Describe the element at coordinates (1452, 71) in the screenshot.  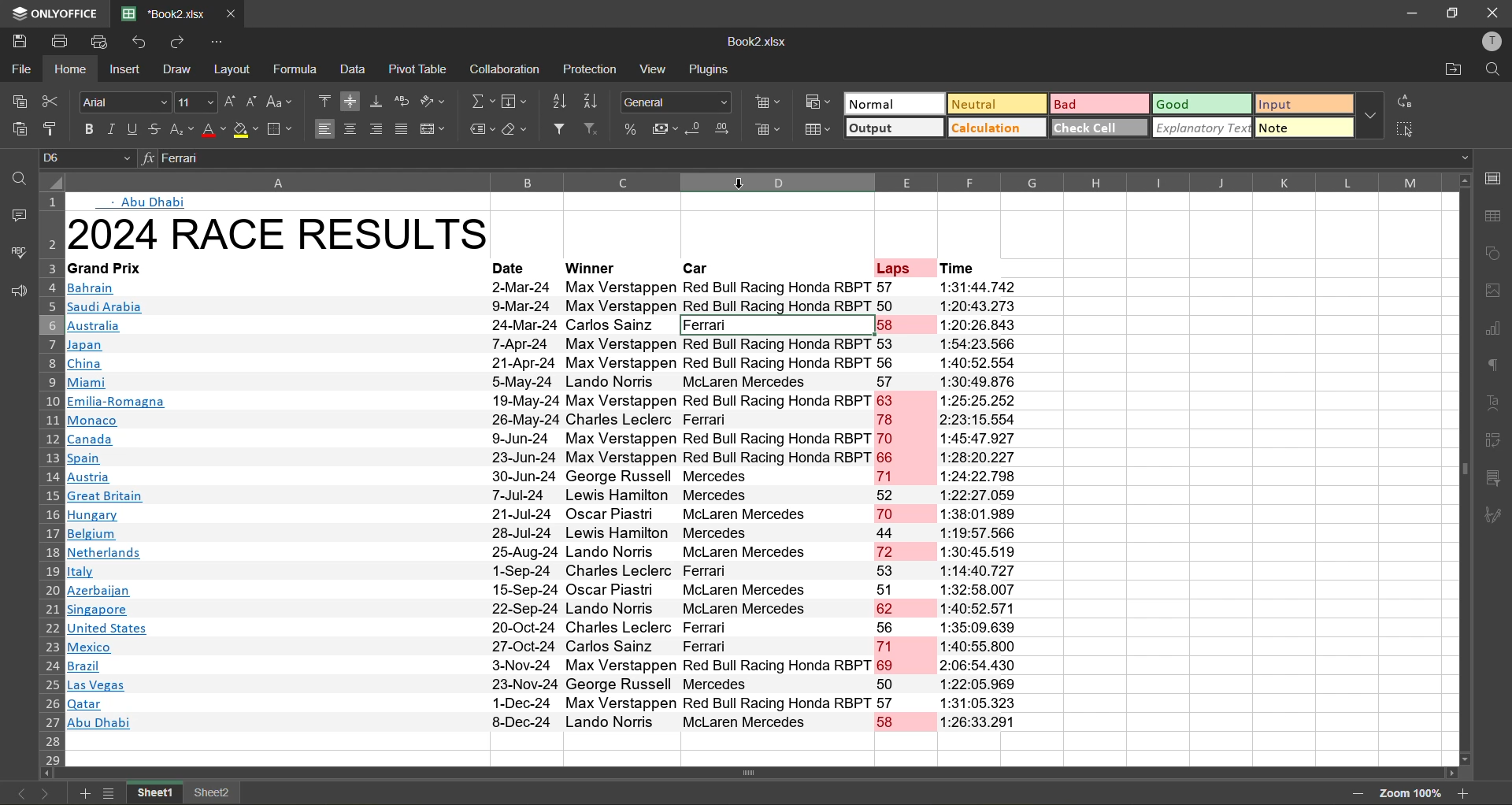
I see `open location` at that location.